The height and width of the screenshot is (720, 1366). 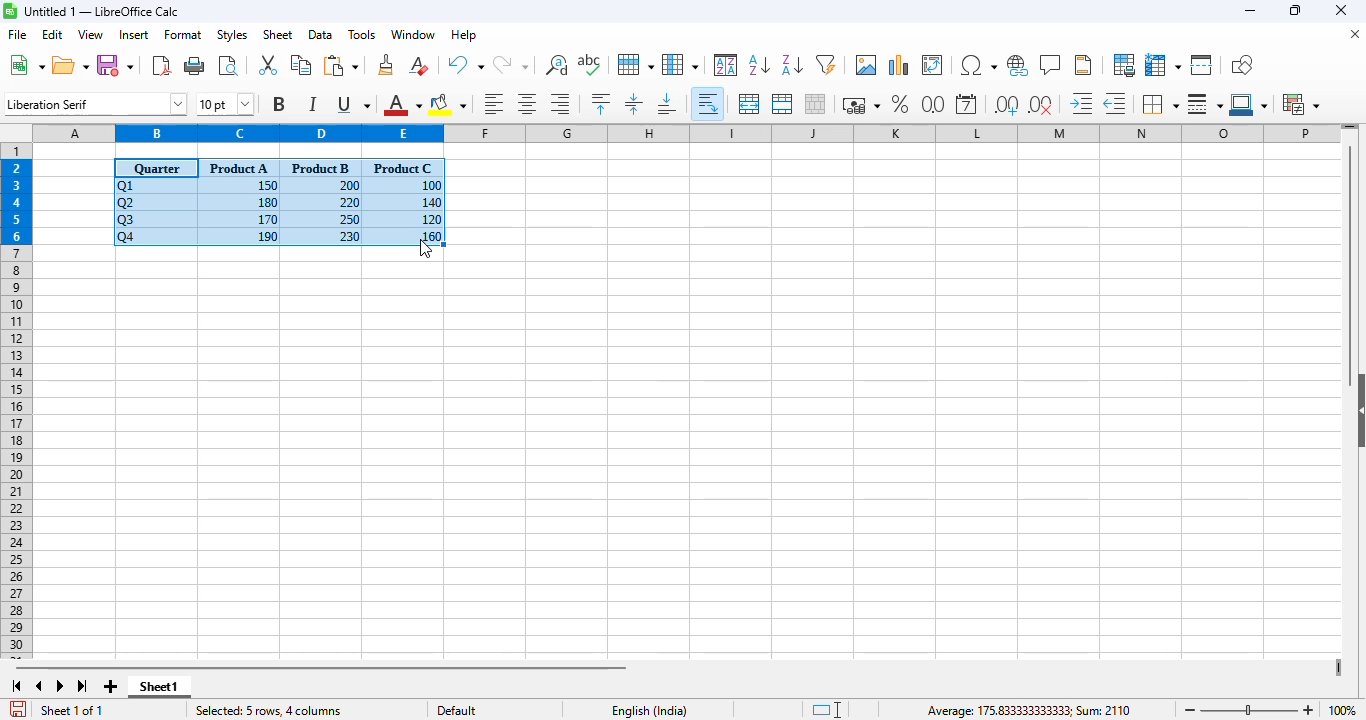 What do you see at coordinates (1297, 11) in the screenshot?
I see `maximize` at bounding box center [1297, 11].